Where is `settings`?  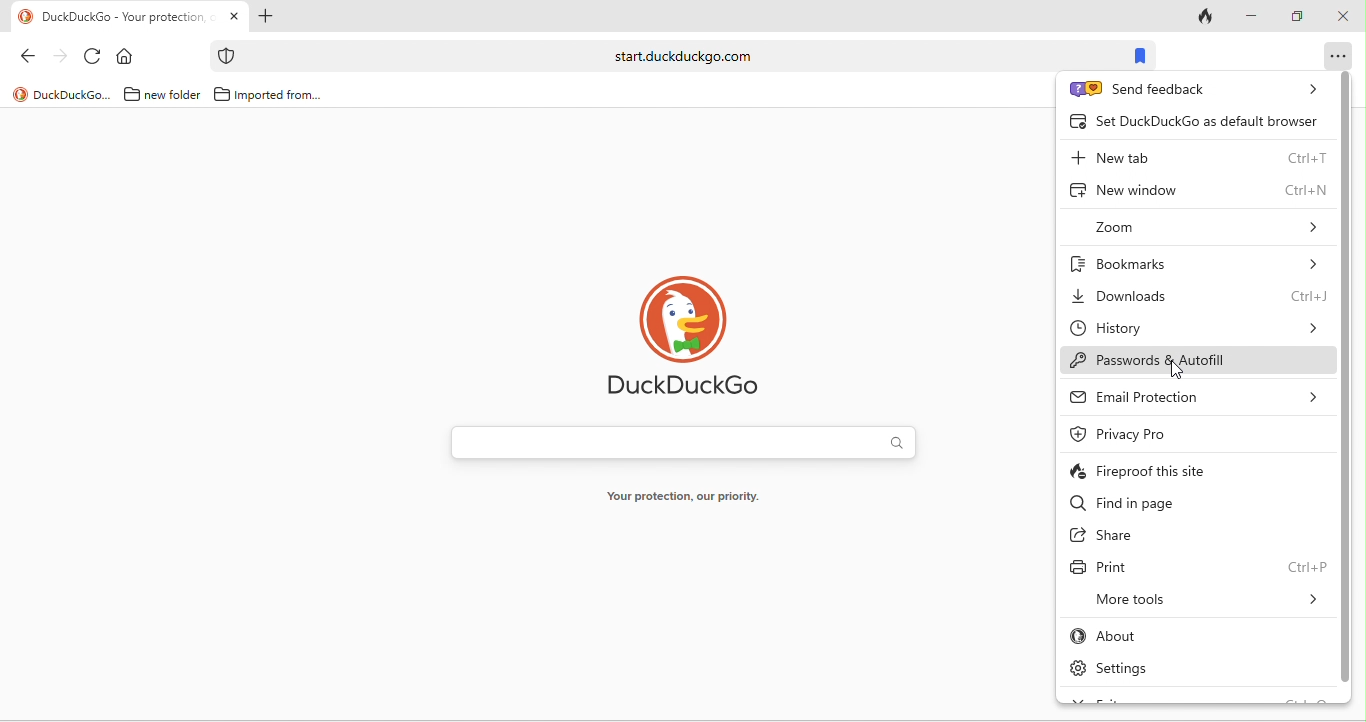 settings is located at coordinates (1118, 665).